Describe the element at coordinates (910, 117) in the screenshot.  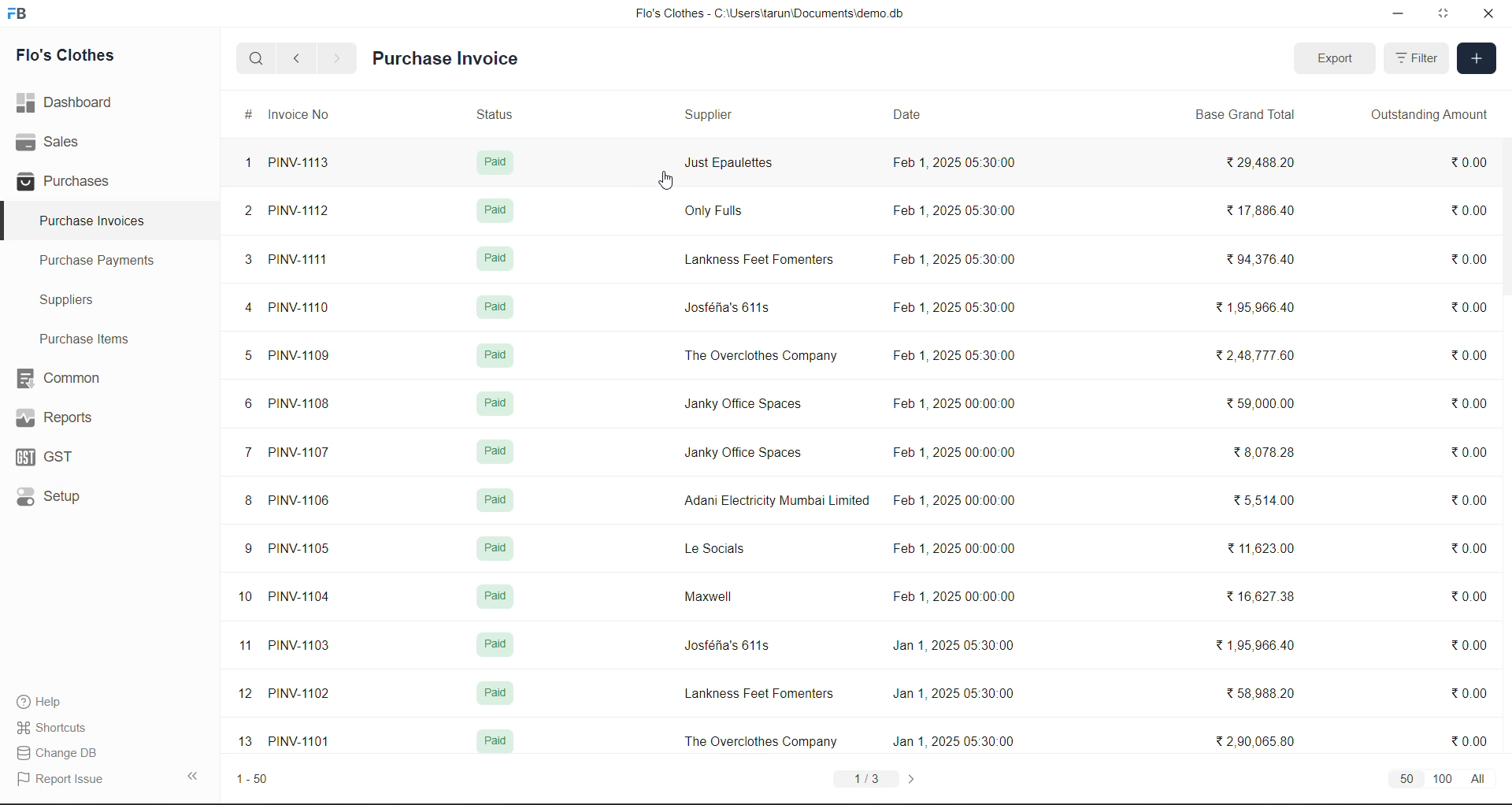
I see `Date` at that location.